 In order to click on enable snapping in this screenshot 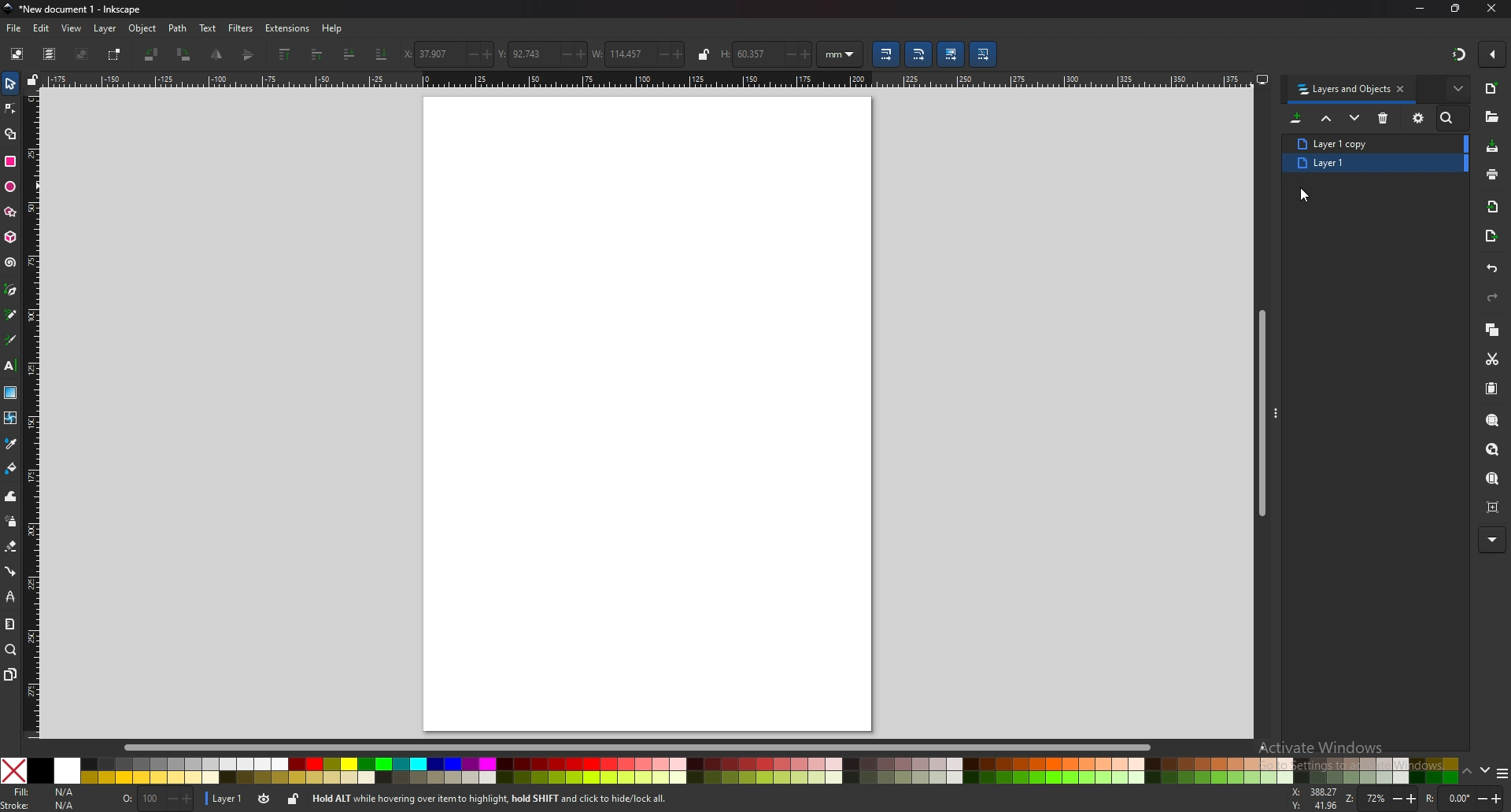, I will do `click(1493, 54)`.